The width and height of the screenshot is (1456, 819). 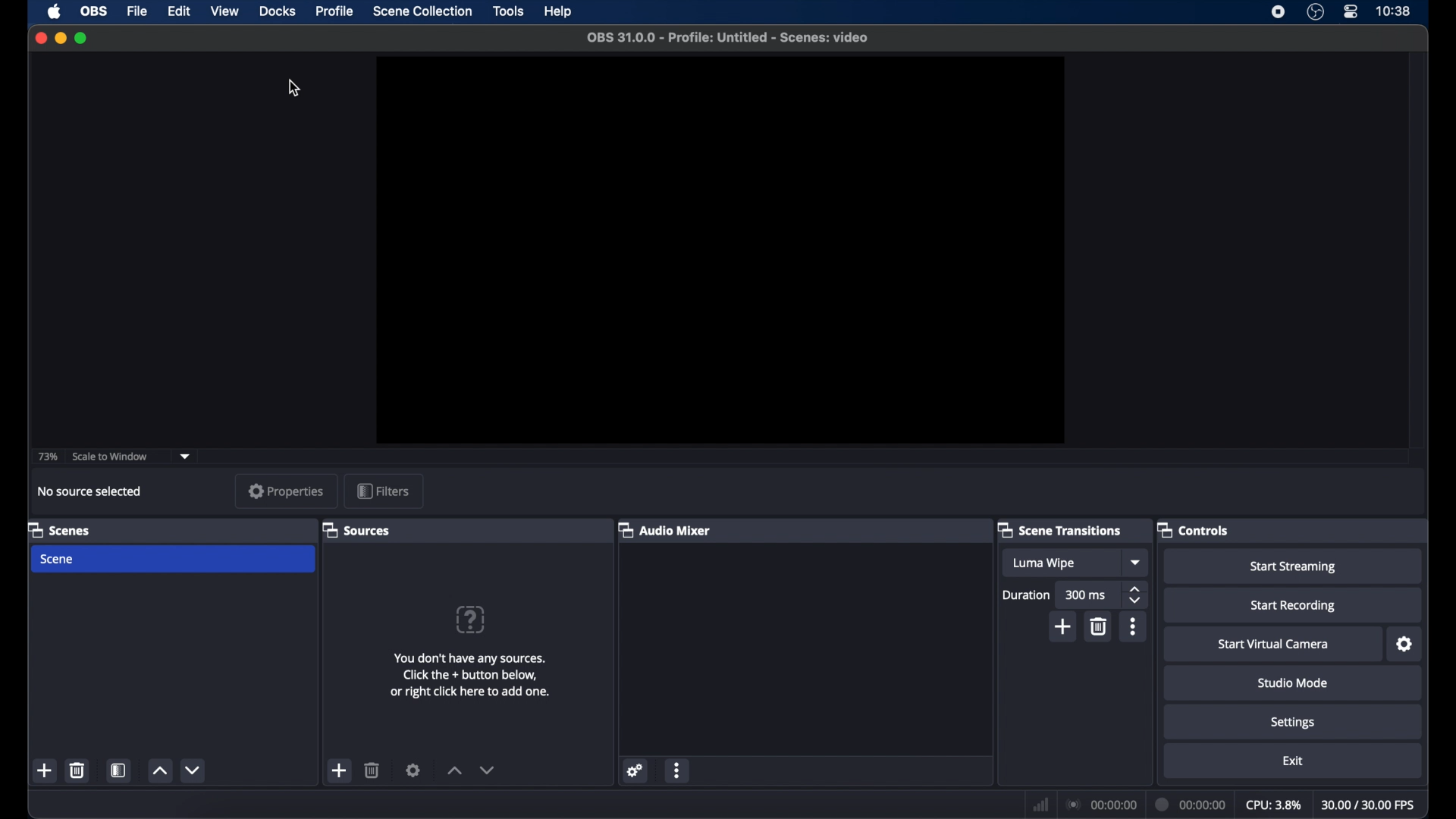 I want to click on view, so click(x=224, y=10).